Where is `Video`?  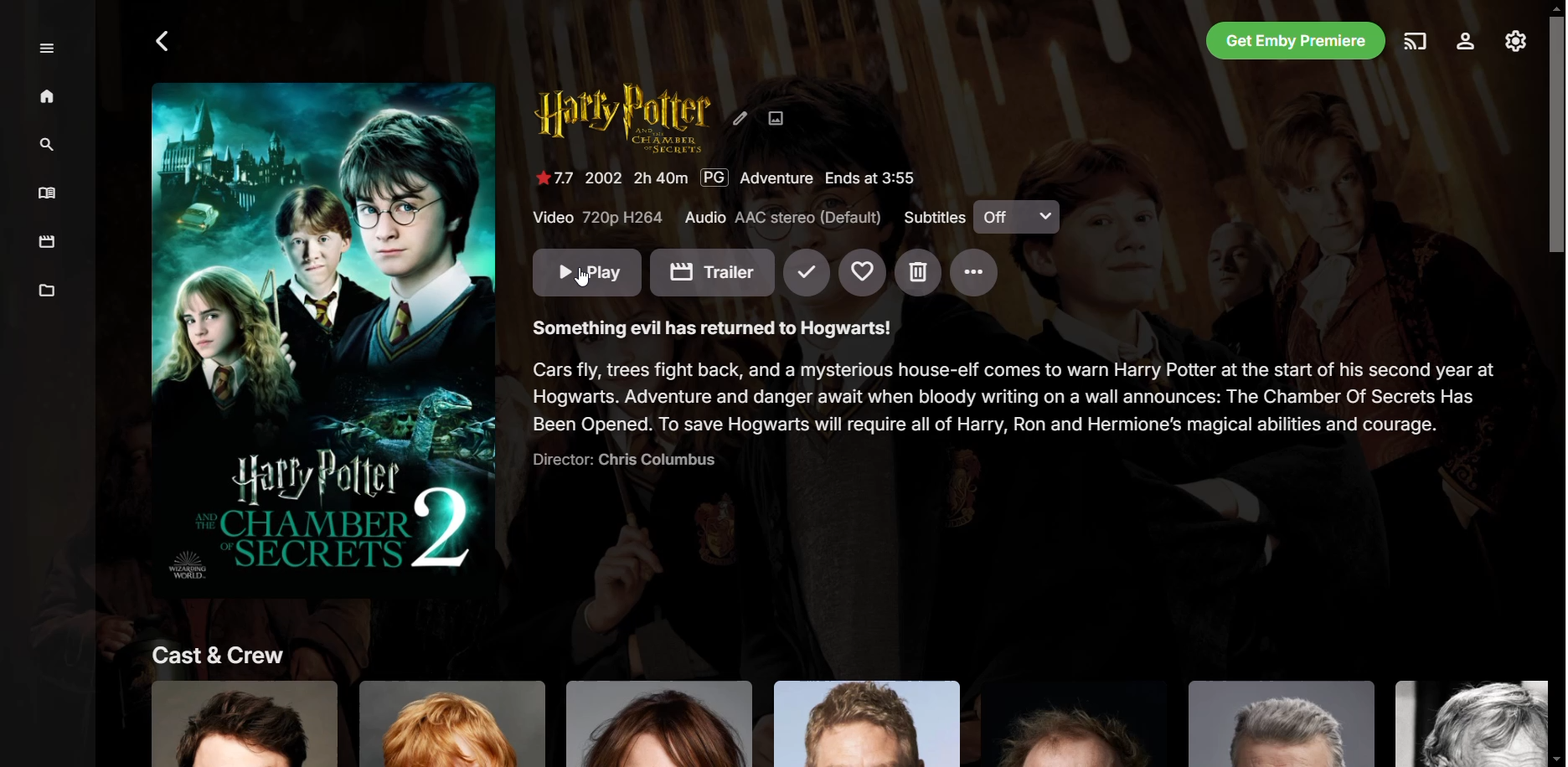
Video is located at coordinates (596, 218).